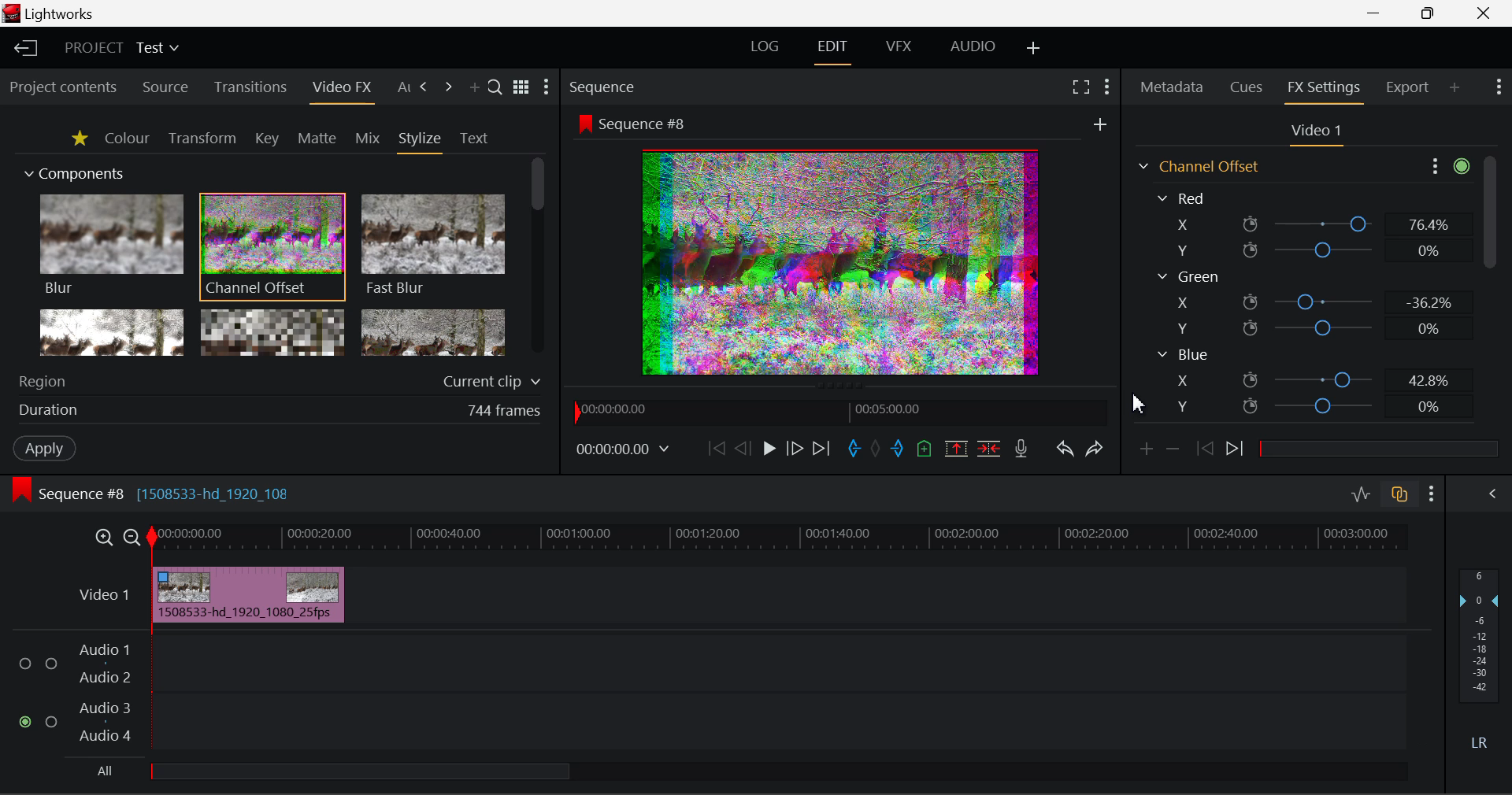 This screenshot has width=1512, height=795. Describe the element at coordinates (46, 449) in the screenshot. I see `Apply` at that location.